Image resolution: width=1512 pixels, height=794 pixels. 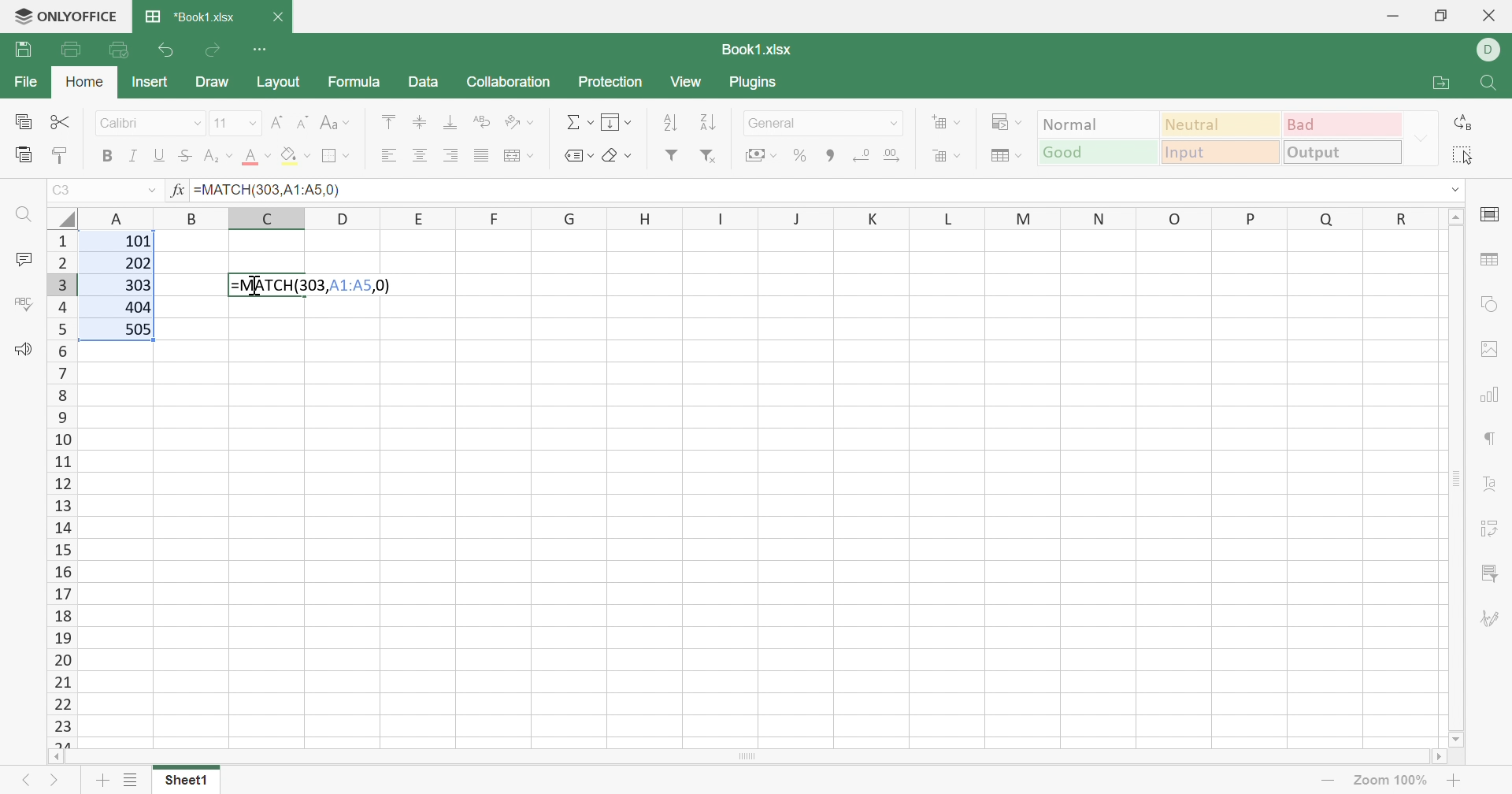 What do you see at coordinates (450, 157) in the screenshot?
I see `Align Right` at bounding box center [450, 157].